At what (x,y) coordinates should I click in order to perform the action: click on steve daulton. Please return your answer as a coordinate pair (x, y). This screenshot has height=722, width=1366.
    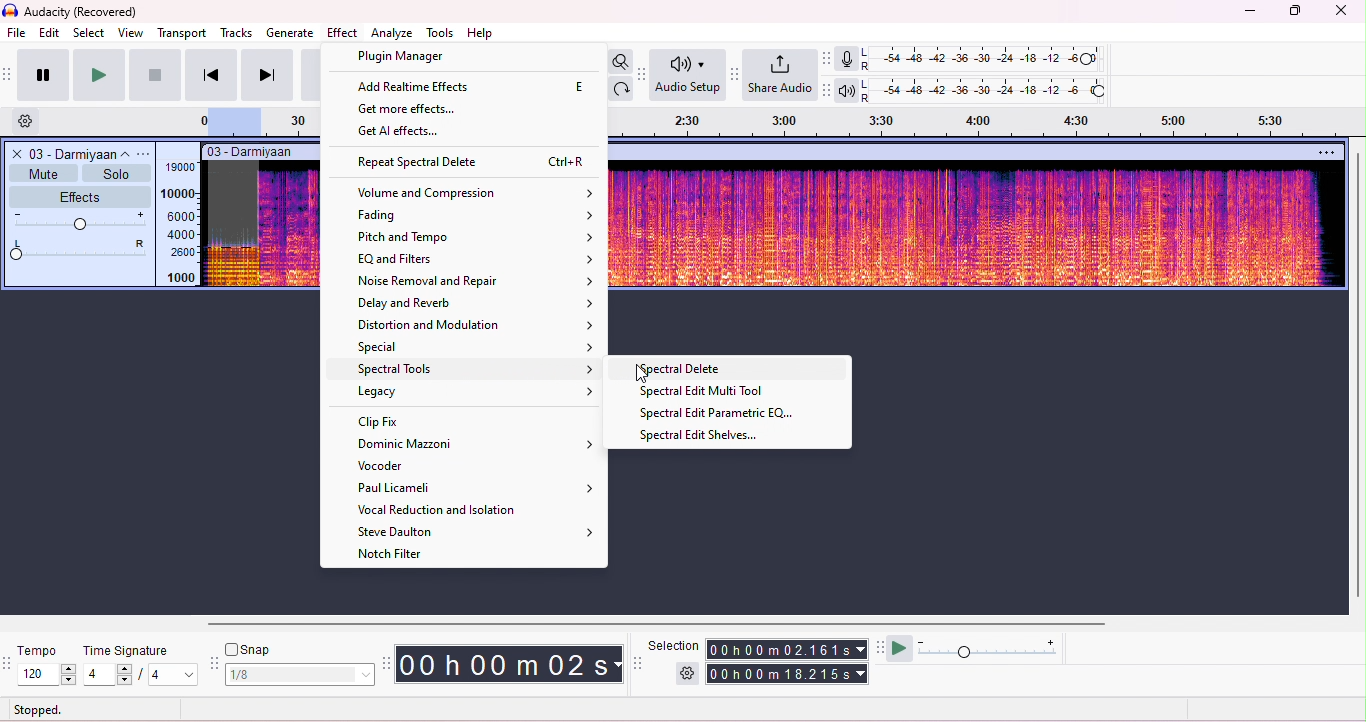
    Looking at the image, I should click on (469, 531).